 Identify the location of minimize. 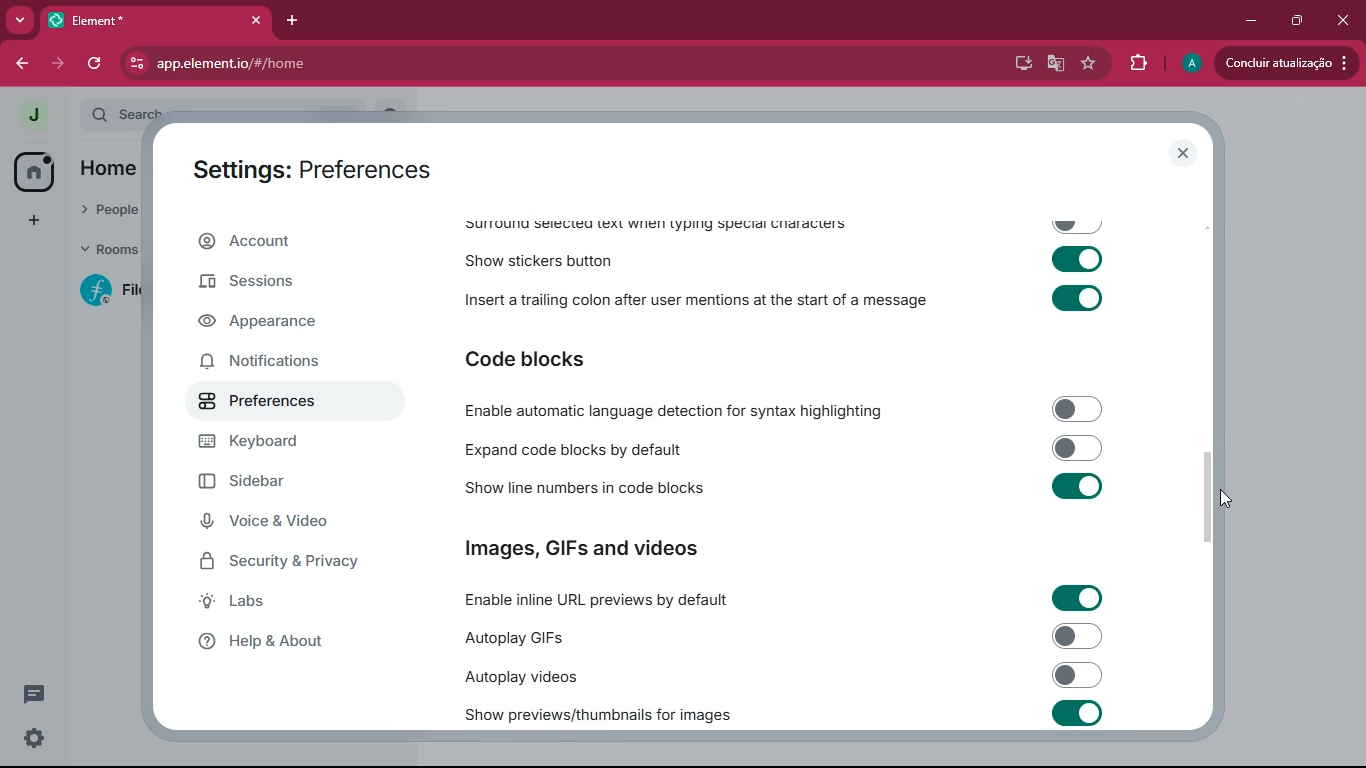
(1249, 21).